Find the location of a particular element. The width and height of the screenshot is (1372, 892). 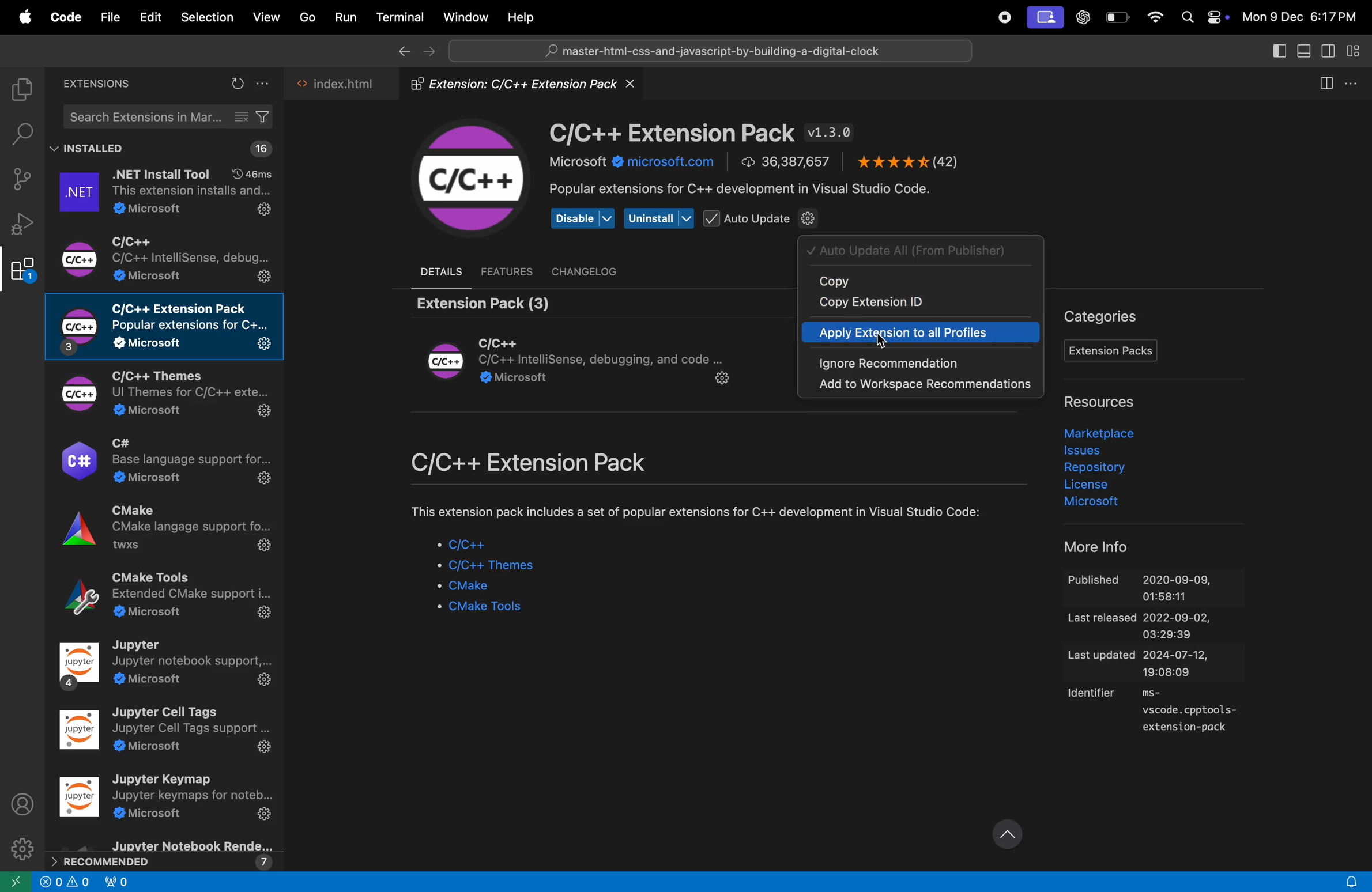

copy extensionnid is located at coordinates (906, 303).